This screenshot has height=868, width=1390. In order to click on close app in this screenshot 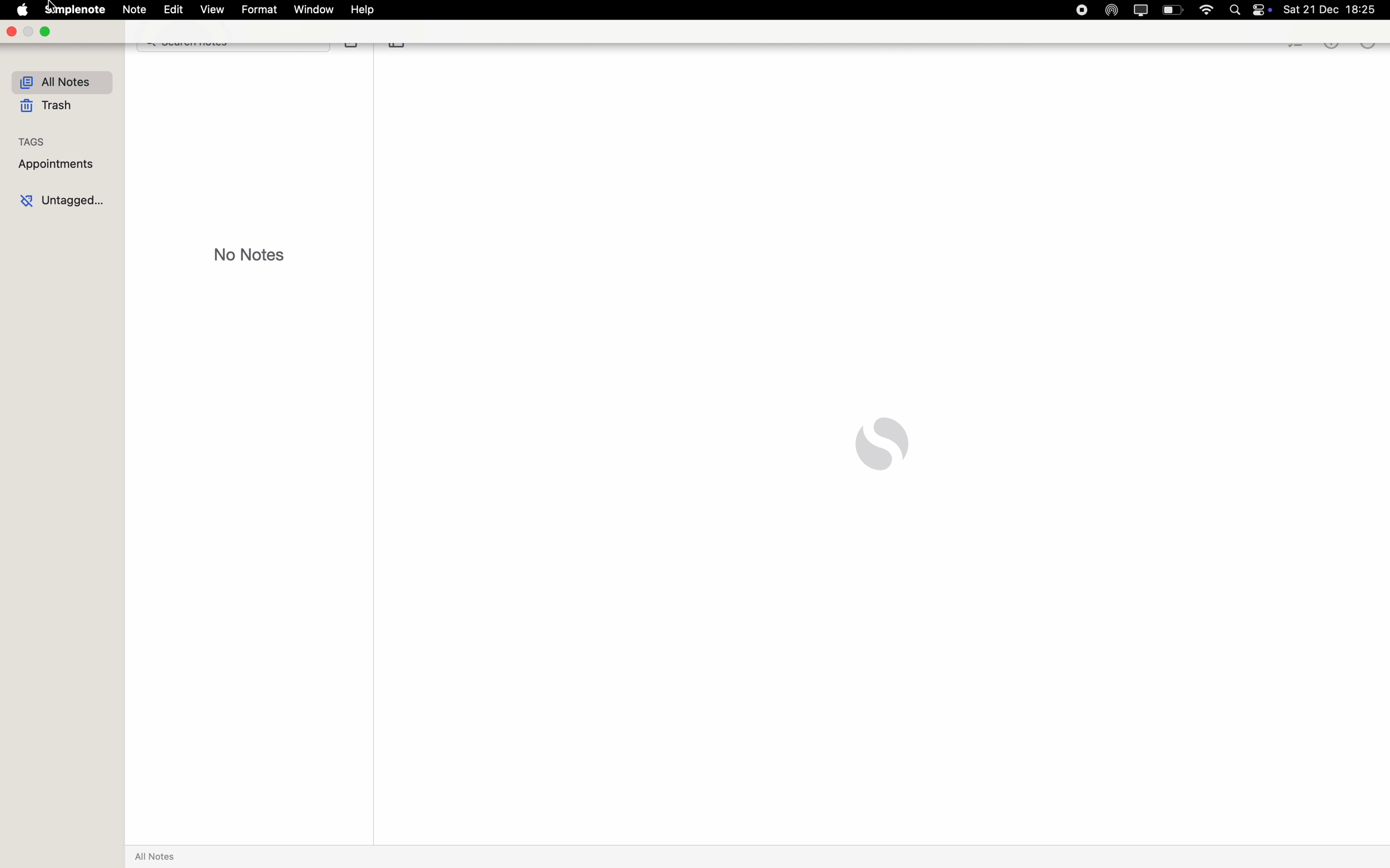, I will do `click(10, 33)`.